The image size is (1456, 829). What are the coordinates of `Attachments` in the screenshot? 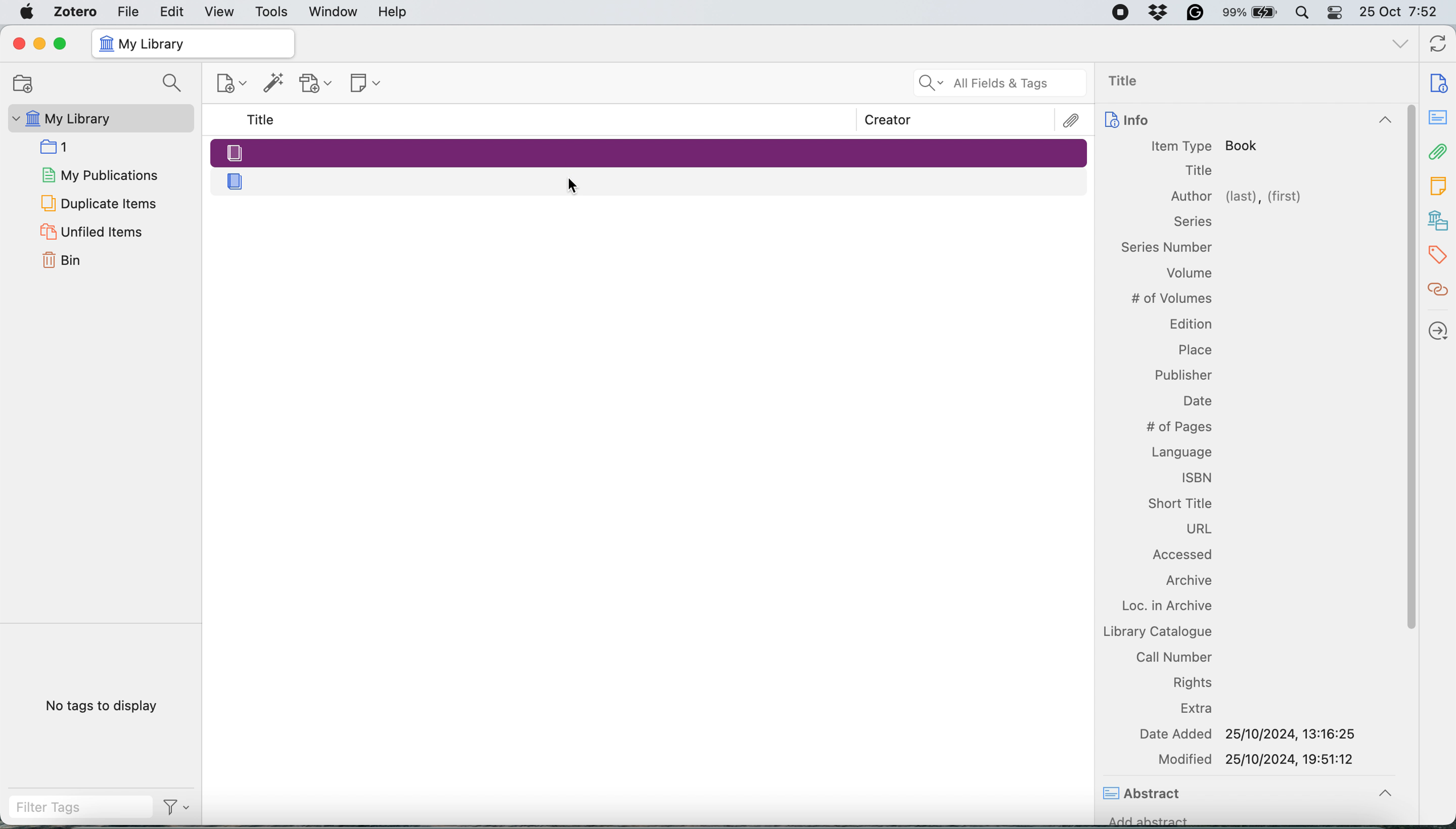 It's located at (1072, 121).